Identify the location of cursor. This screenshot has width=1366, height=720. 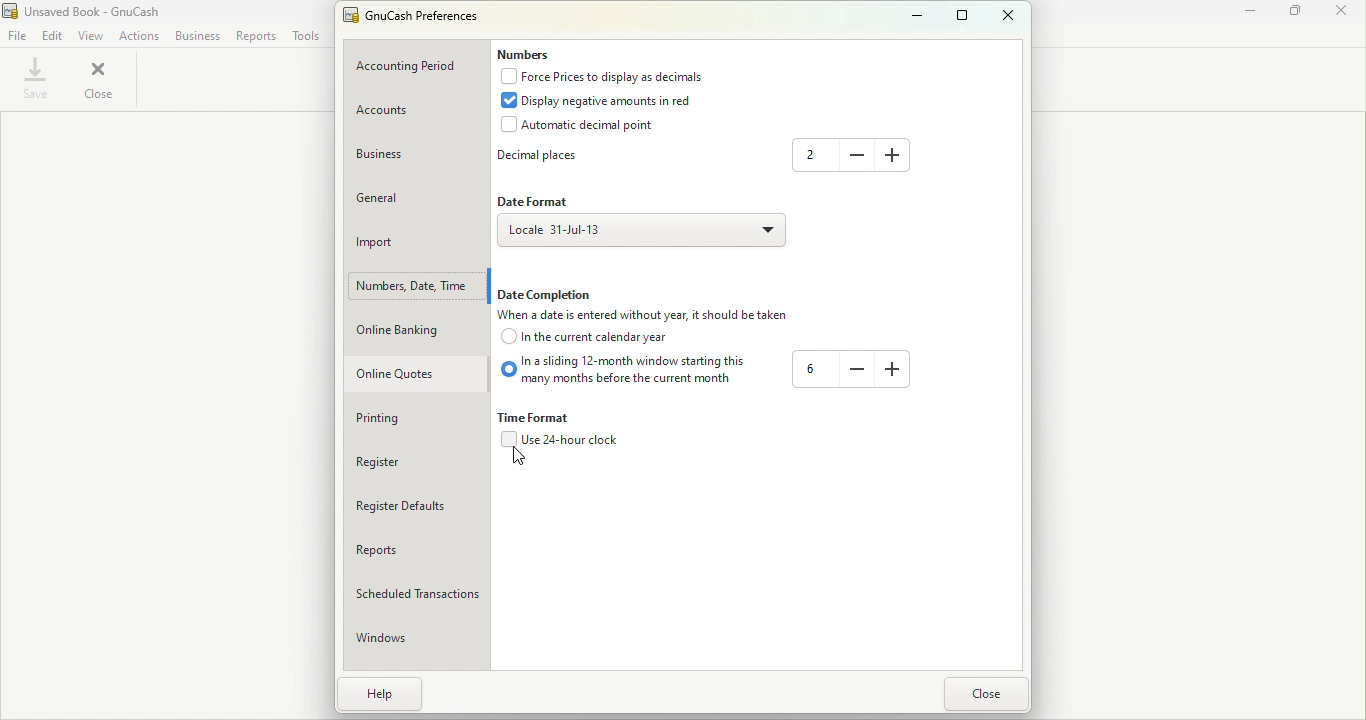
(518, 461).